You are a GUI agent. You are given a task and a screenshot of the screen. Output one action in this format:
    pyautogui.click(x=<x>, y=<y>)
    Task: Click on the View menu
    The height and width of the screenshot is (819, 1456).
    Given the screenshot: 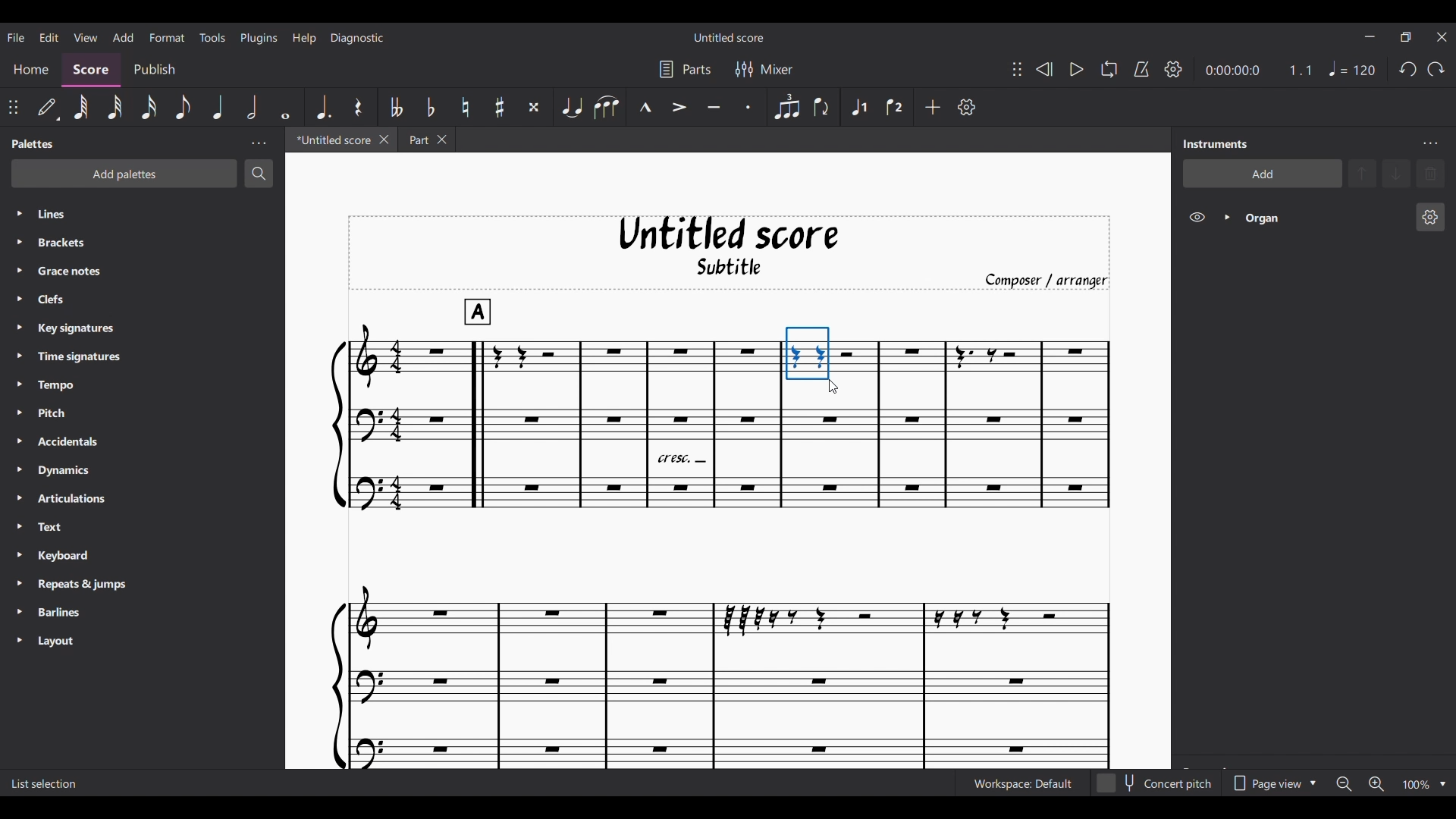 What is the action you would take?
    pyautogui.click(x=86, y=36)
    